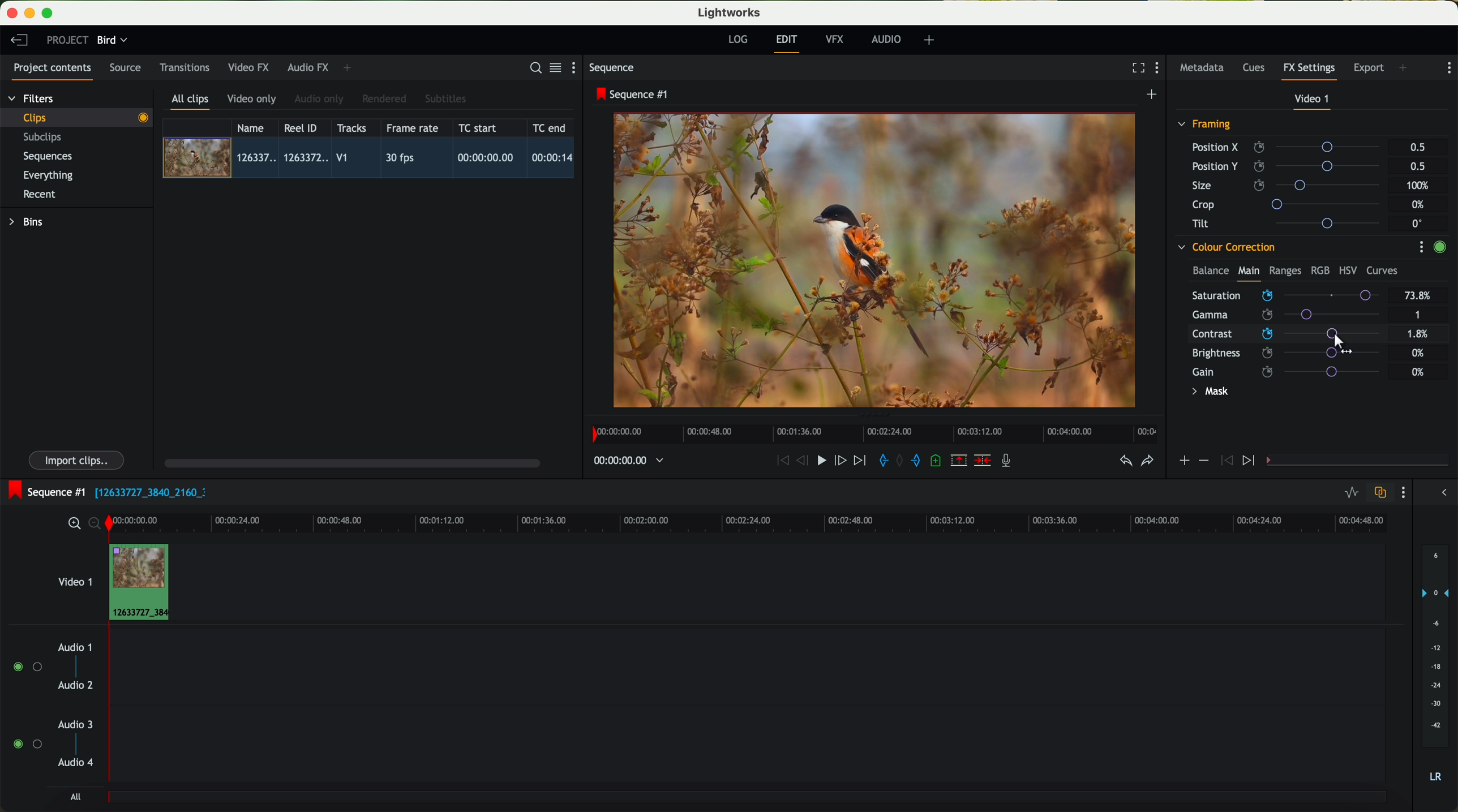  What do you see at coordinates (1369, 69) in the screenshot?
I see `export` at bounding box center [1369, 69].